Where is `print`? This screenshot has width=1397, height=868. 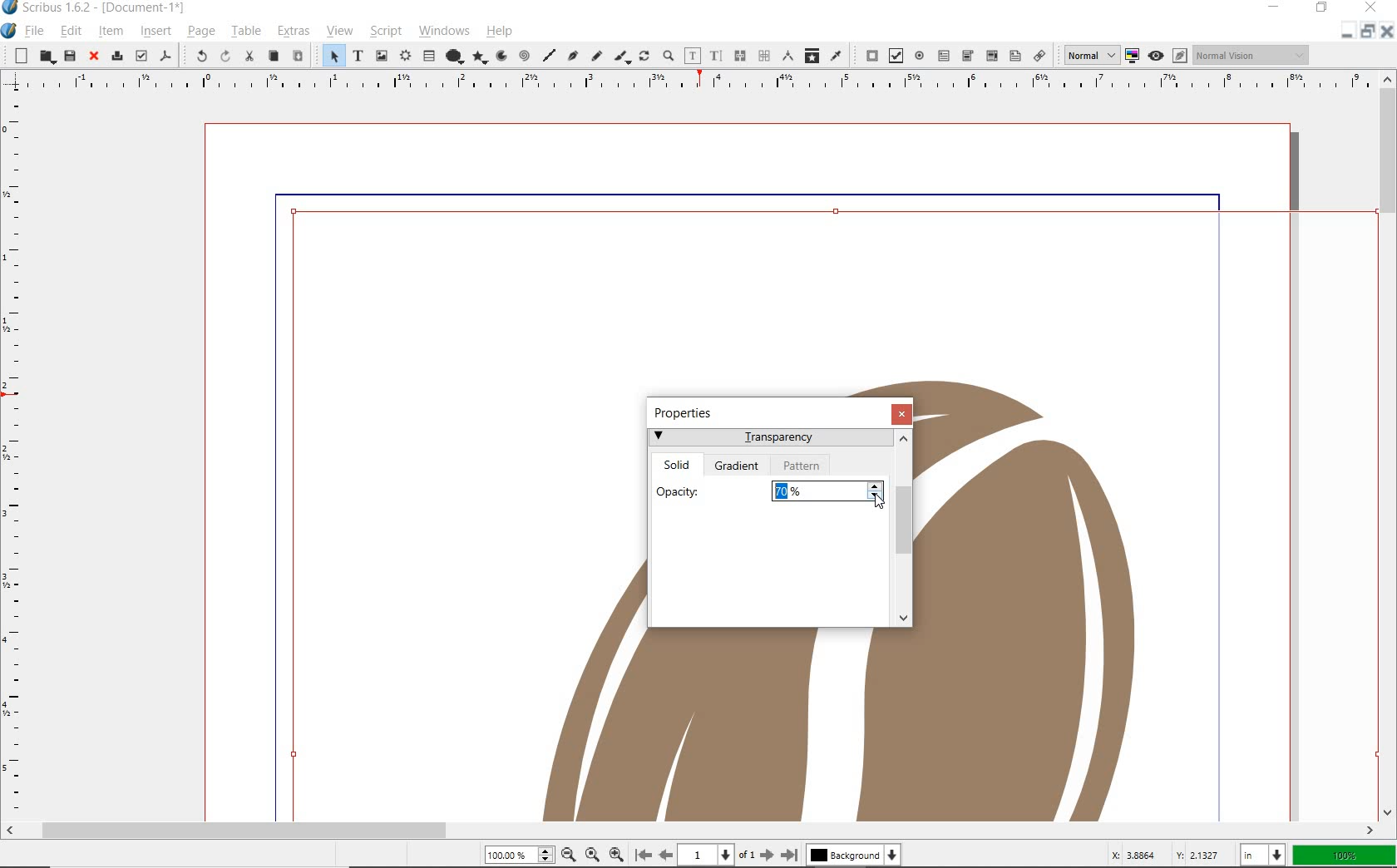 print is located at coordinates (116, 57).